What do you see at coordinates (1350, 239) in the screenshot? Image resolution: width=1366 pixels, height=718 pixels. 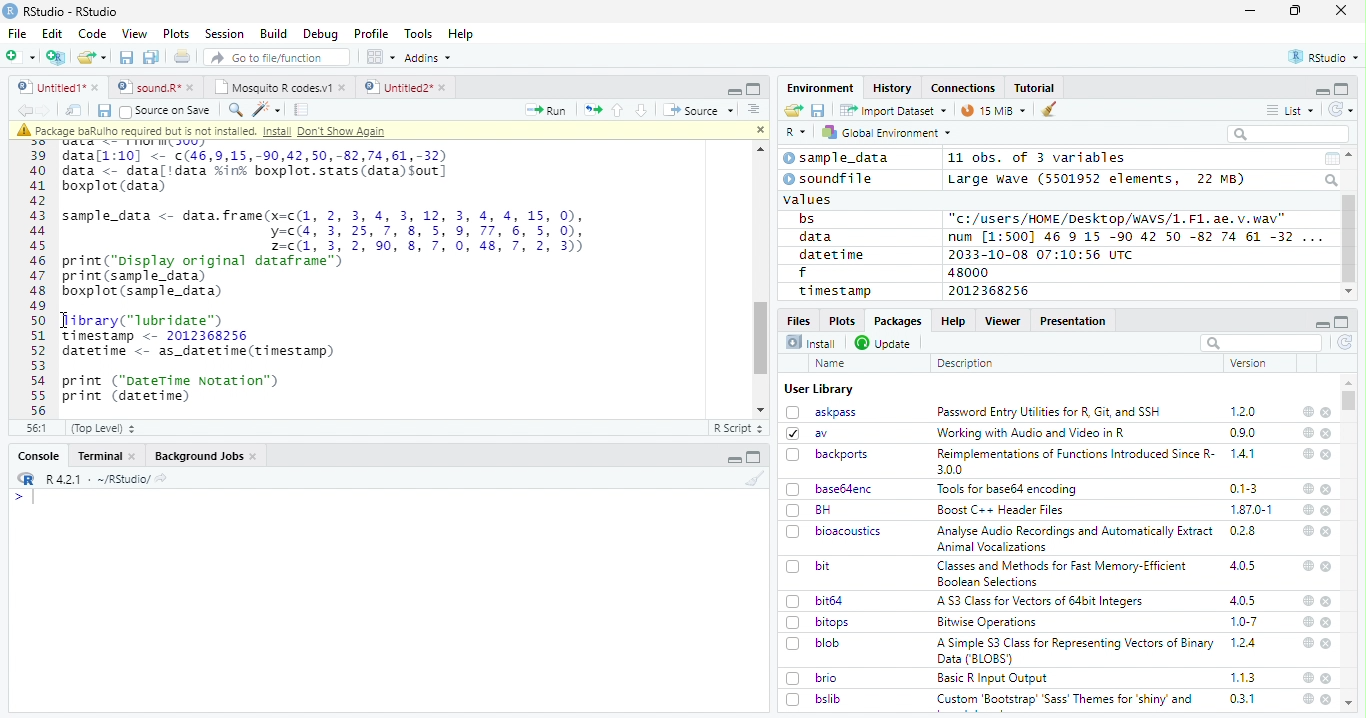 I see `Scroll bar` at bounding box center [1350, 239].